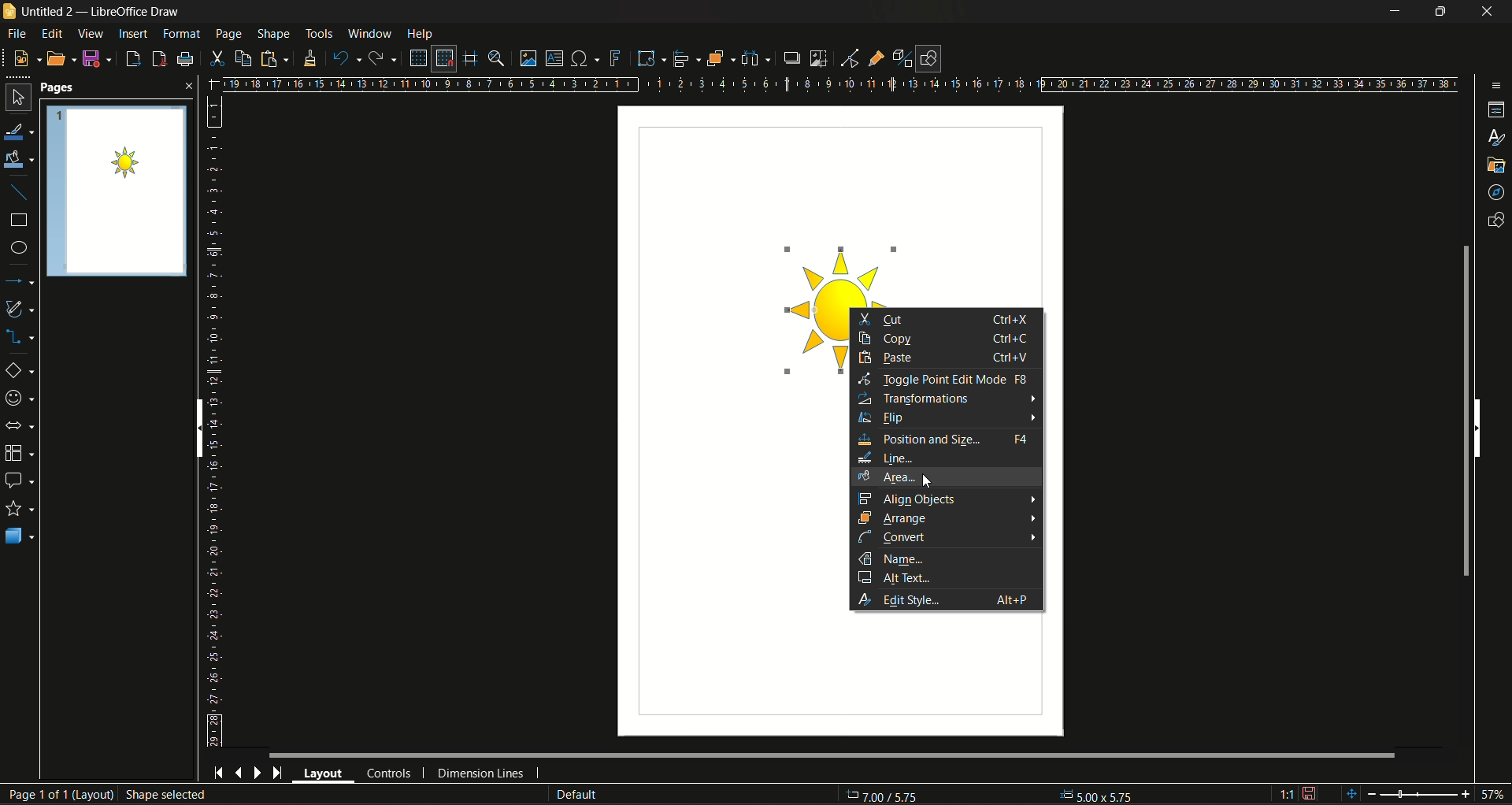 This screenshot has width=1512, height=805. Describe the element at coordinates (1028, 399) in the screenshot. I see `arrow` at that location.